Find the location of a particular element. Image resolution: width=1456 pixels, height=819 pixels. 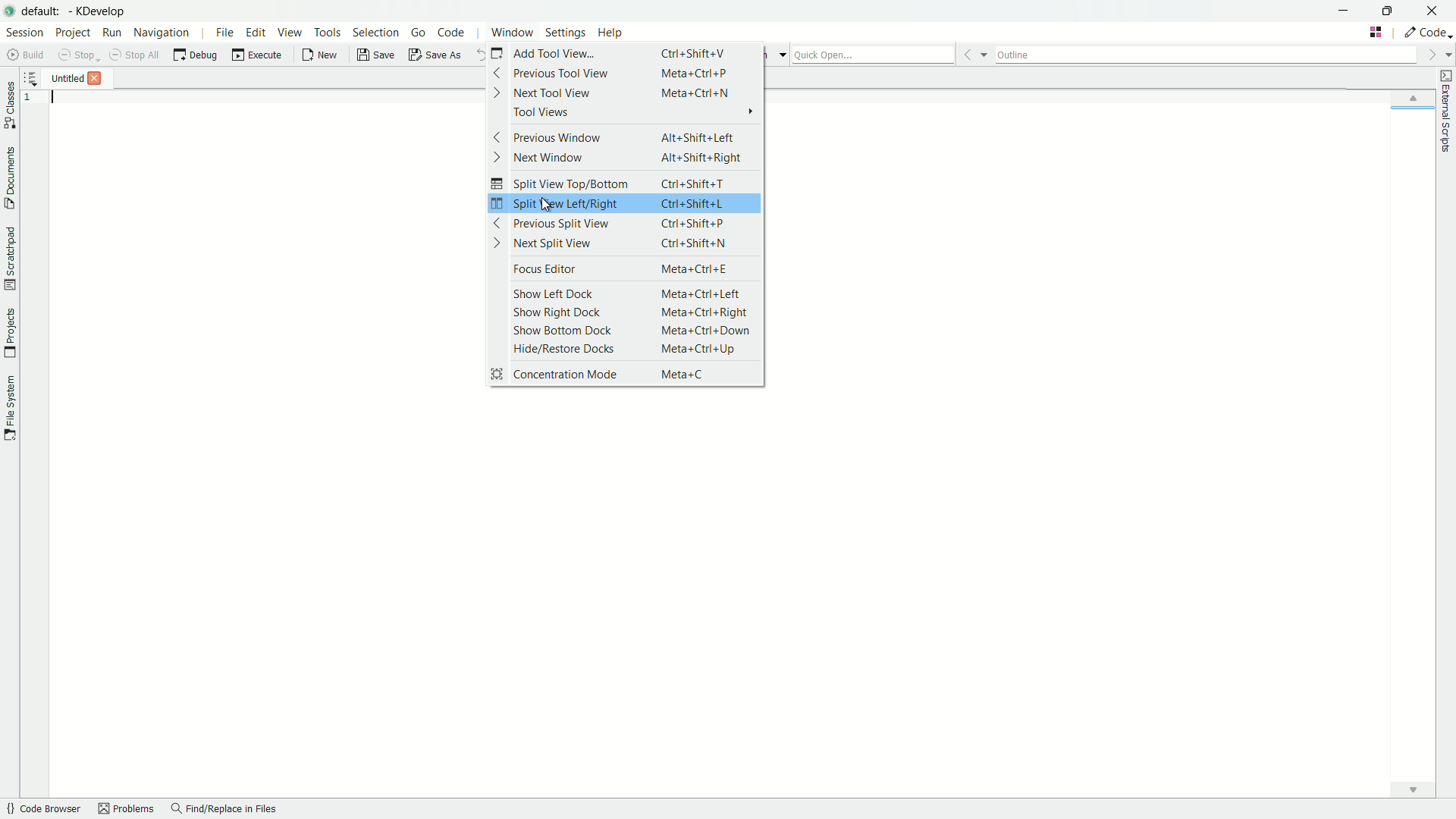

outline bar is located at coordinates (1223, 55).